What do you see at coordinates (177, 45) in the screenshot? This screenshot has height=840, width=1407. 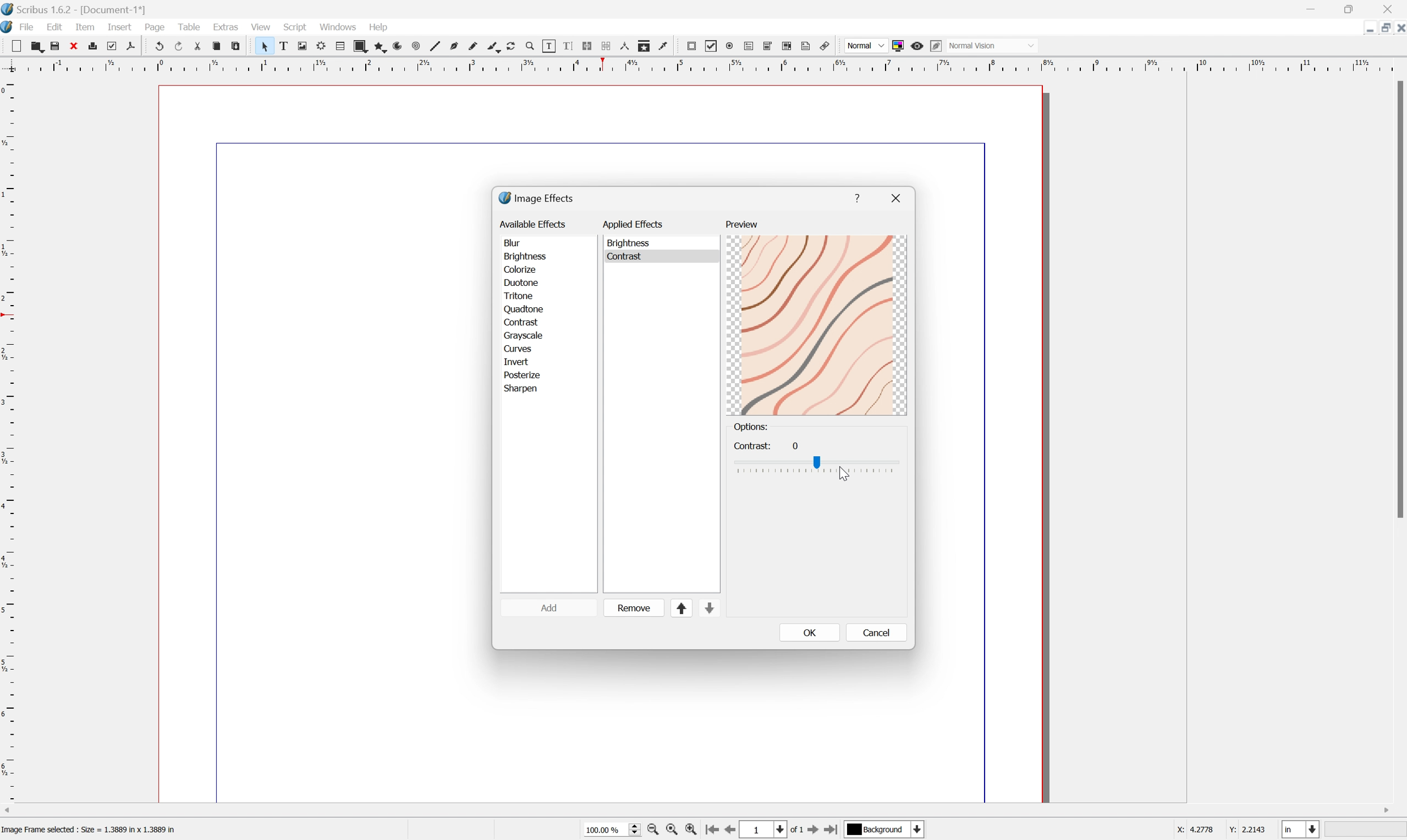 I see `Redo` at bounding box center [177, 45].